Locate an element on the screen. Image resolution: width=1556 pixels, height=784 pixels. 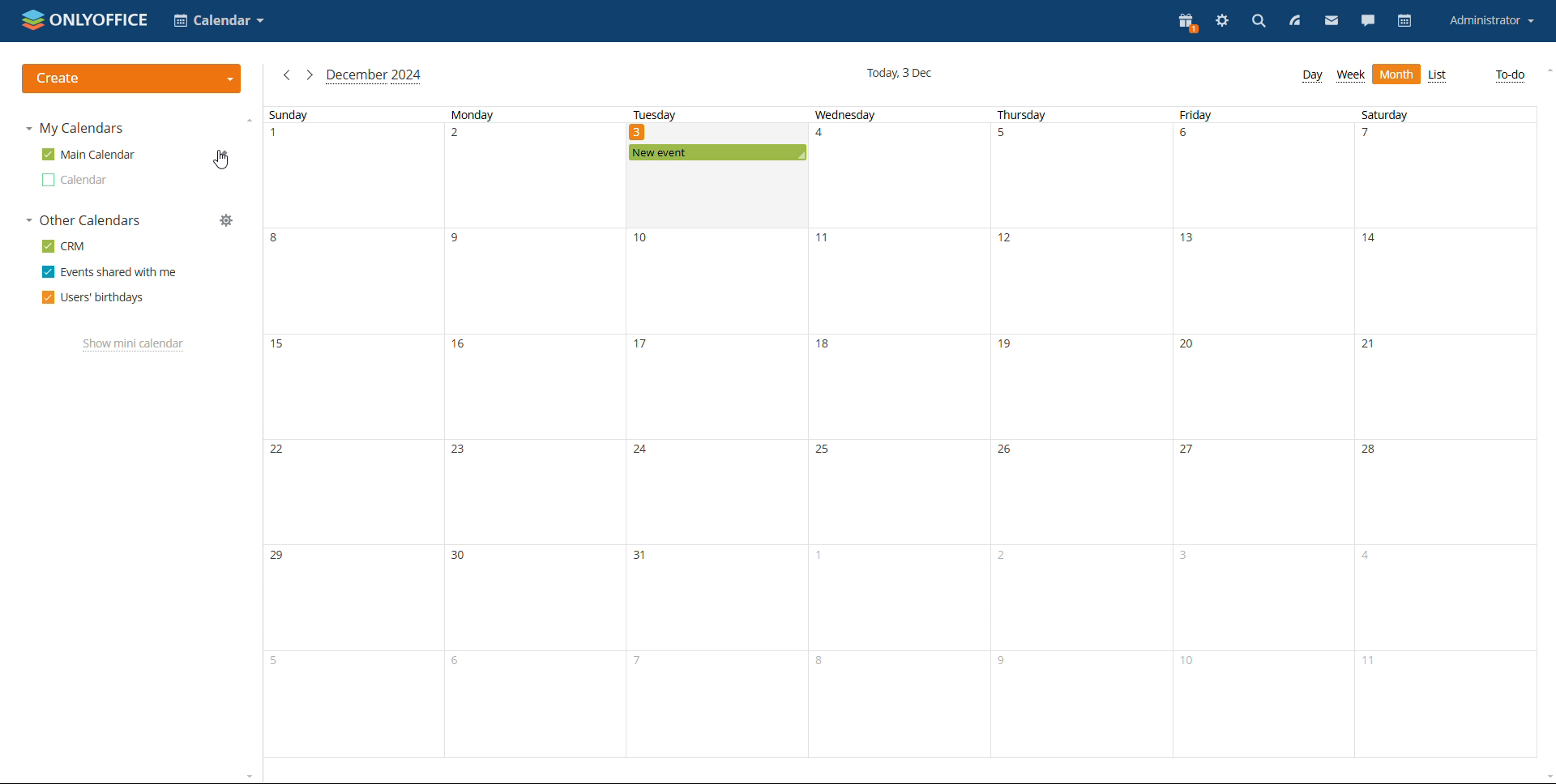
date is located at coordinates (900, 703).